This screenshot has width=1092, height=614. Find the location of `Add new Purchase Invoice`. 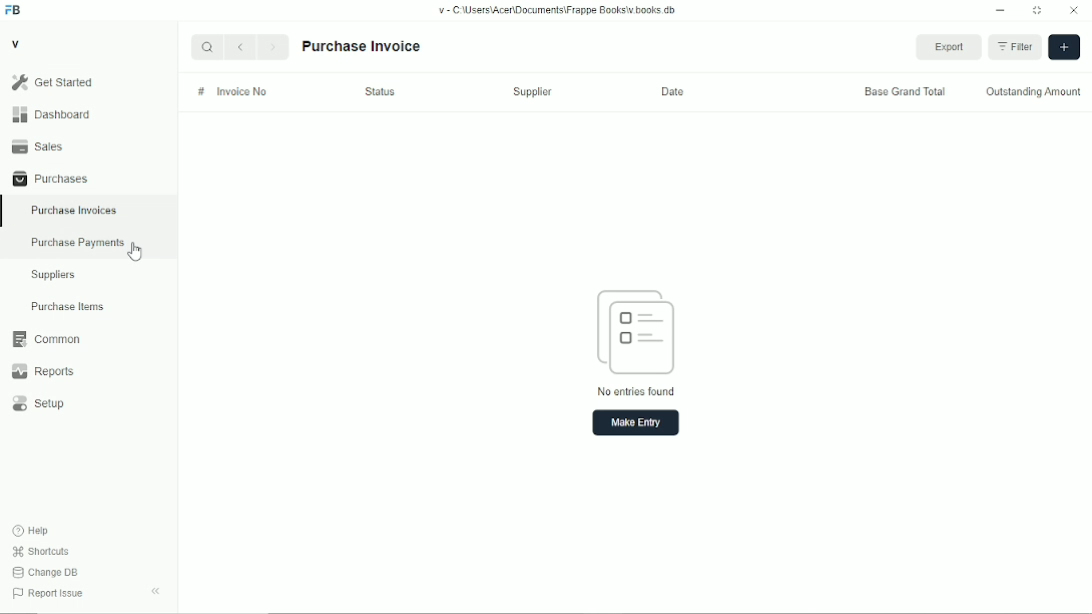

Add new Purchase Invoice is located at coordinates (1064, 47).